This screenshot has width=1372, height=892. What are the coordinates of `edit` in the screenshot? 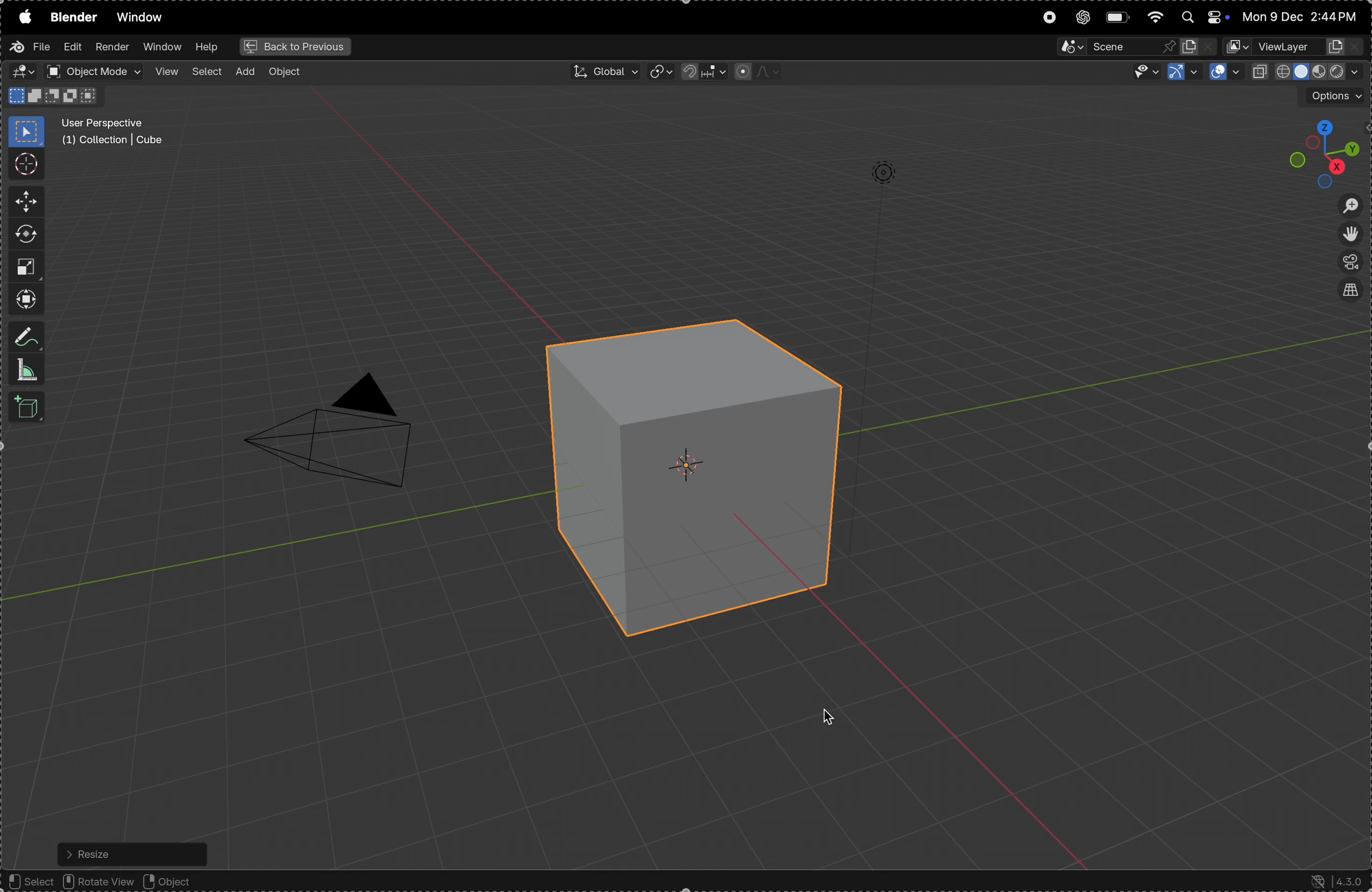 It's located at (70, 47).